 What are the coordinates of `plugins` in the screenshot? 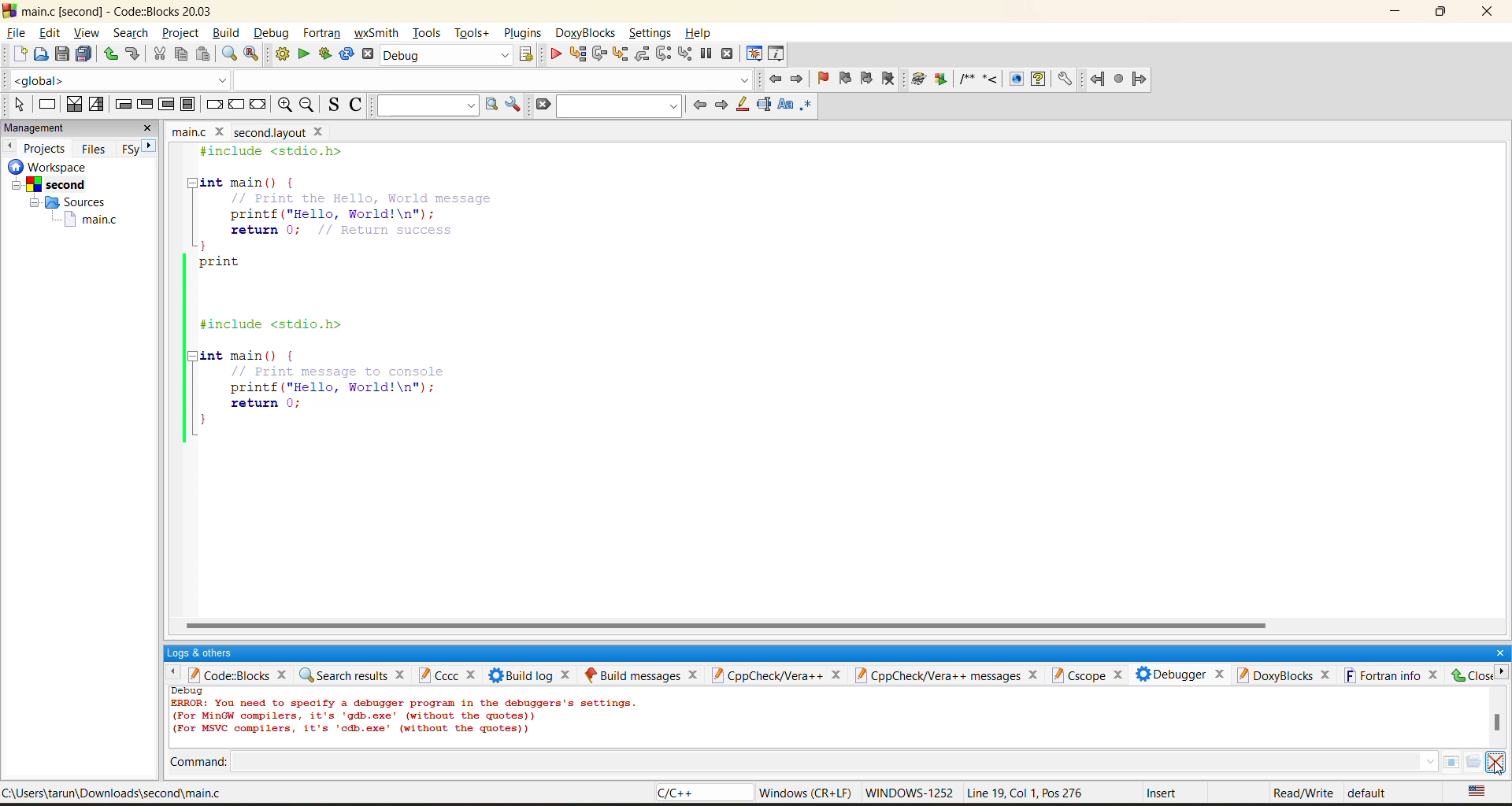 It's located at (523, 31).